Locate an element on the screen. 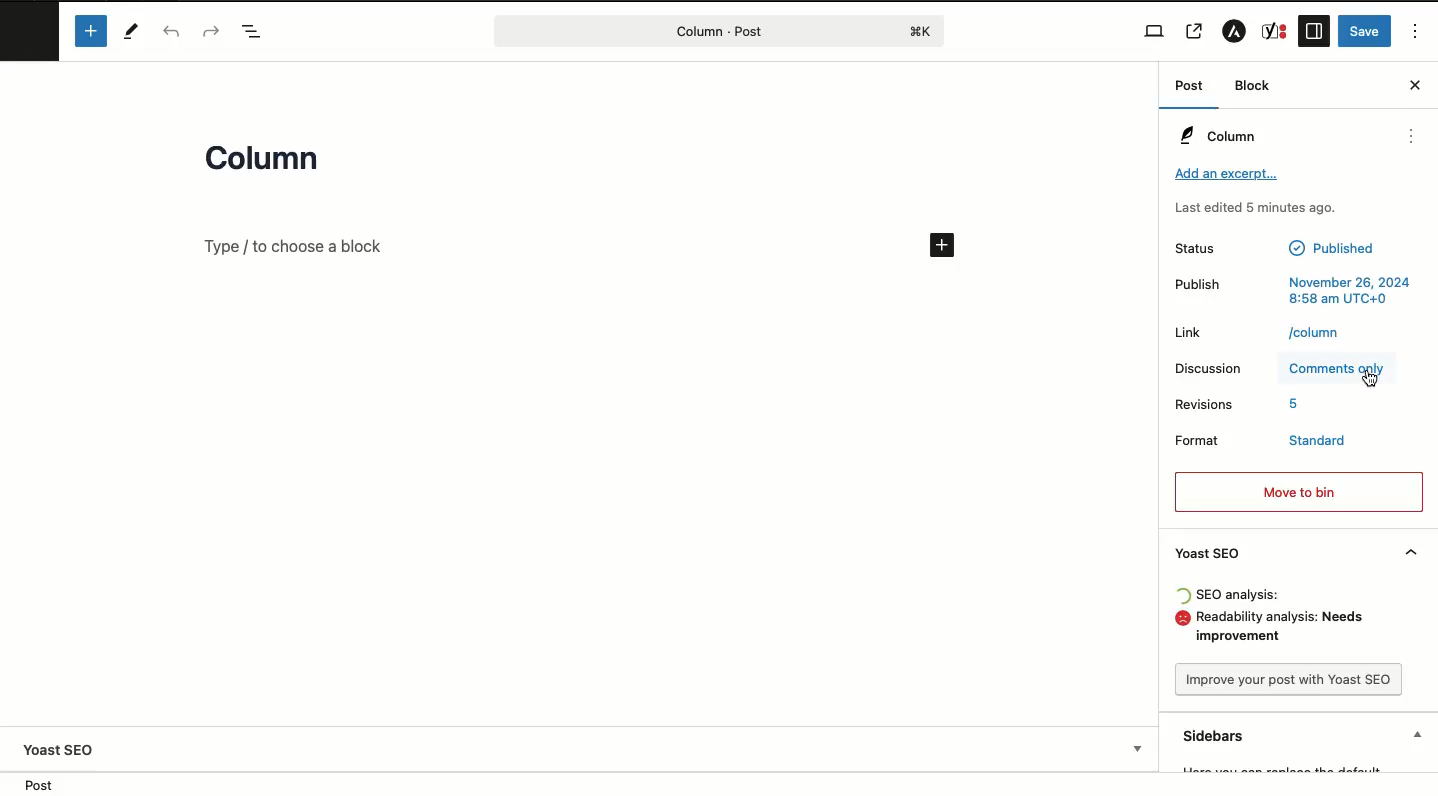 The image size is (1438, 796). text is located at coordinates (1320, 440).